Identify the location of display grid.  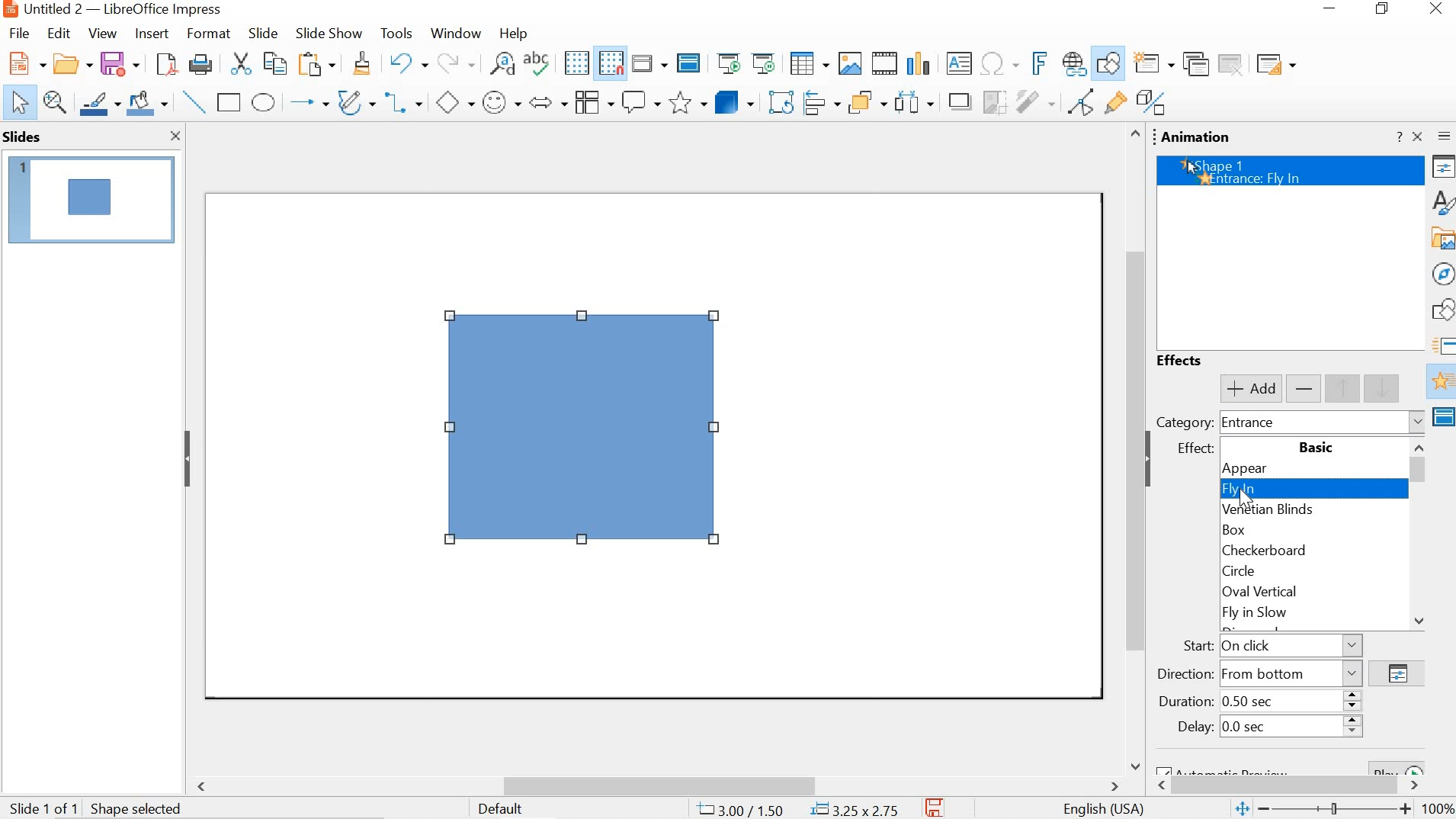
(576, 63).